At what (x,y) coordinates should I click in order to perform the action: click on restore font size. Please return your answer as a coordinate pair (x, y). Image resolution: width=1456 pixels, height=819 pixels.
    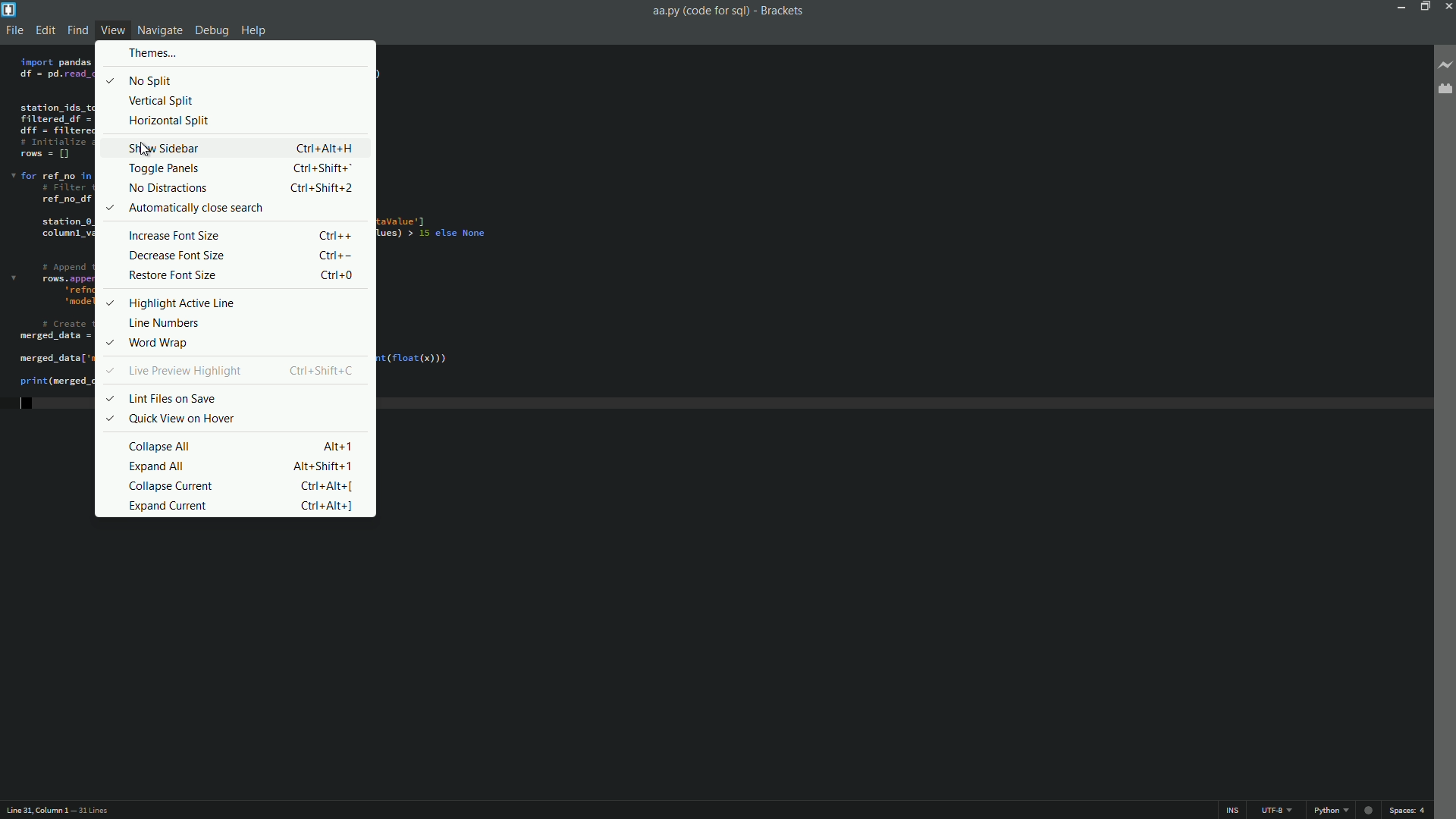
    Looking at the image, I should click on (243, 276).